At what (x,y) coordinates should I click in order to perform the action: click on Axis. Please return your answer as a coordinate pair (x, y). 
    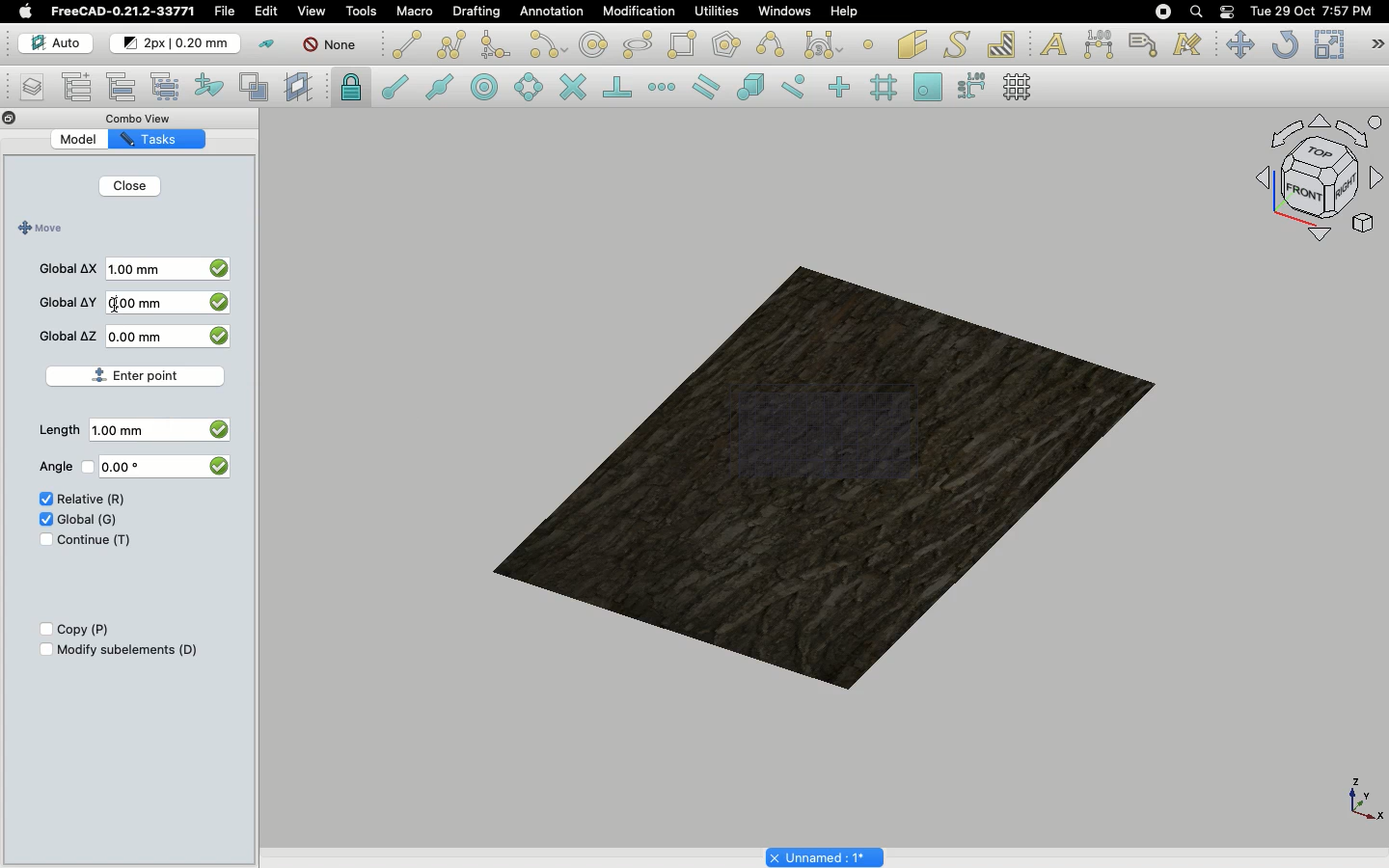
    Looking at the image, I should click on (1361, 798).